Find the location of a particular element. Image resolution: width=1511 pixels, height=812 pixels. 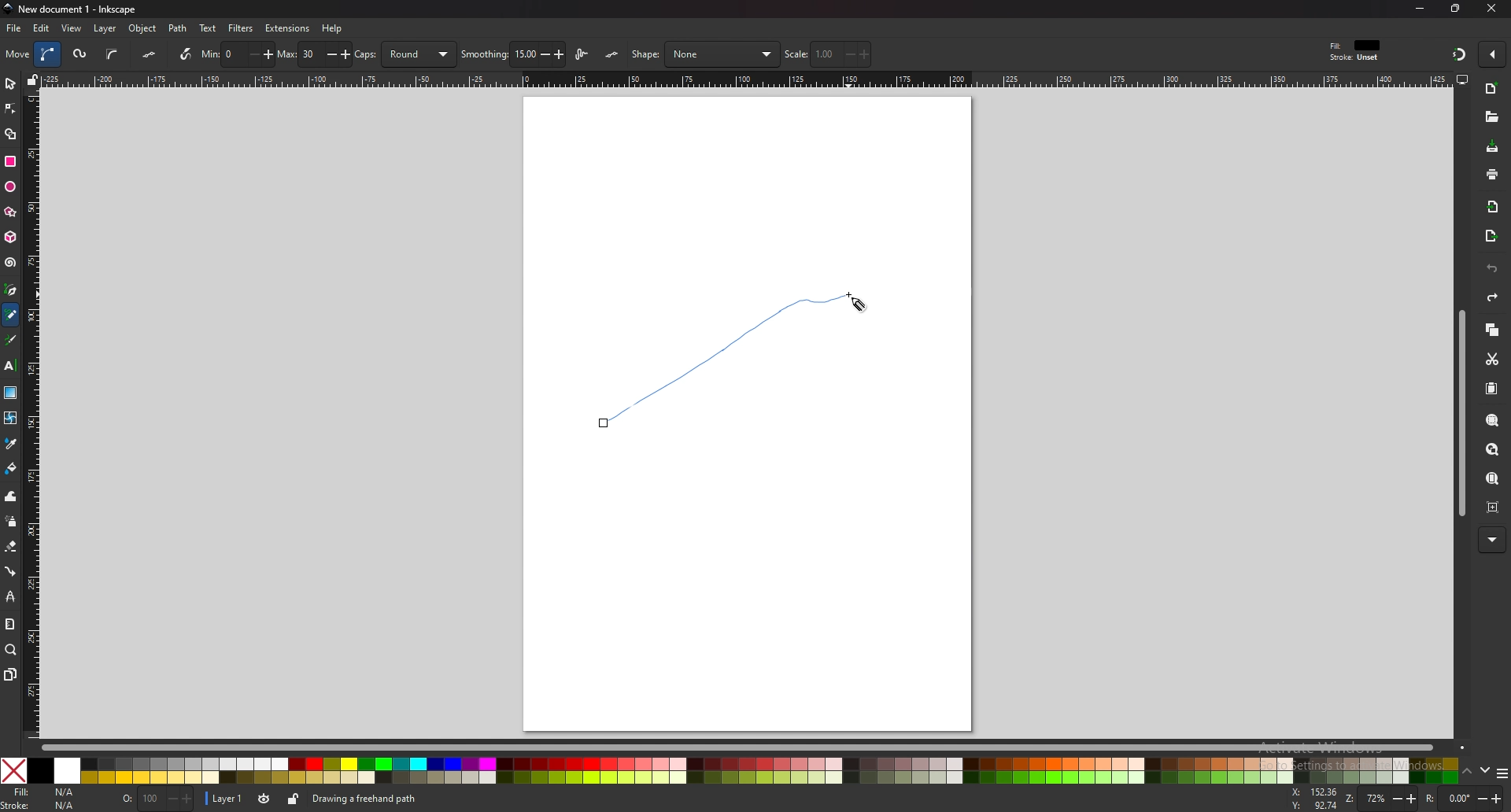

ellipse is located at coordinates (11, 186).